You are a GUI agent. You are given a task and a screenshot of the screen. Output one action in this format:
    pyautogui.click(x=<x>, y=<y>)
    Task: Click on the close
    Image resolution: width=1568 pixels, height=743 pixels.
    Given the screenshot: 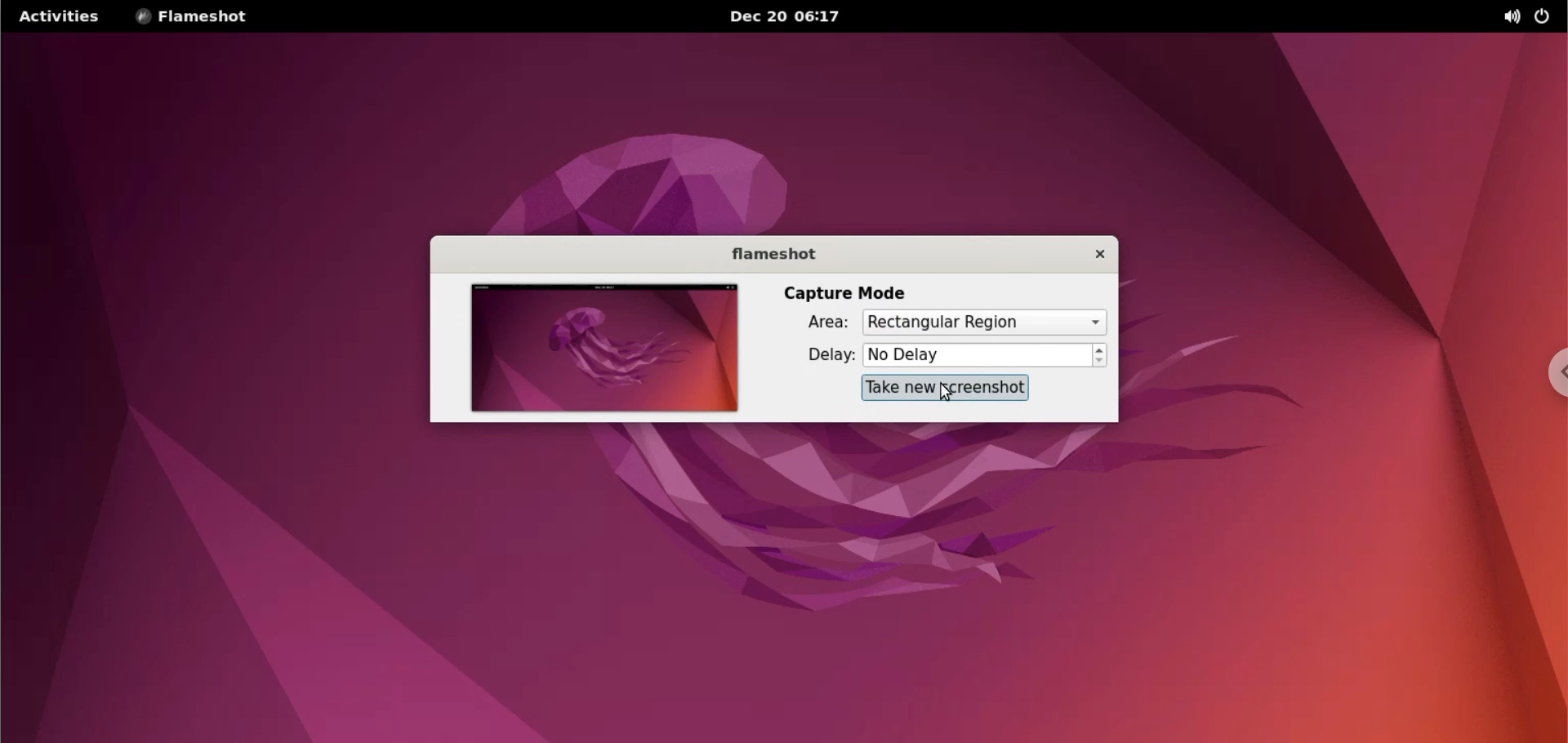 What is the action you would take?
    pyautogui.click(x=1089, y=257)
    